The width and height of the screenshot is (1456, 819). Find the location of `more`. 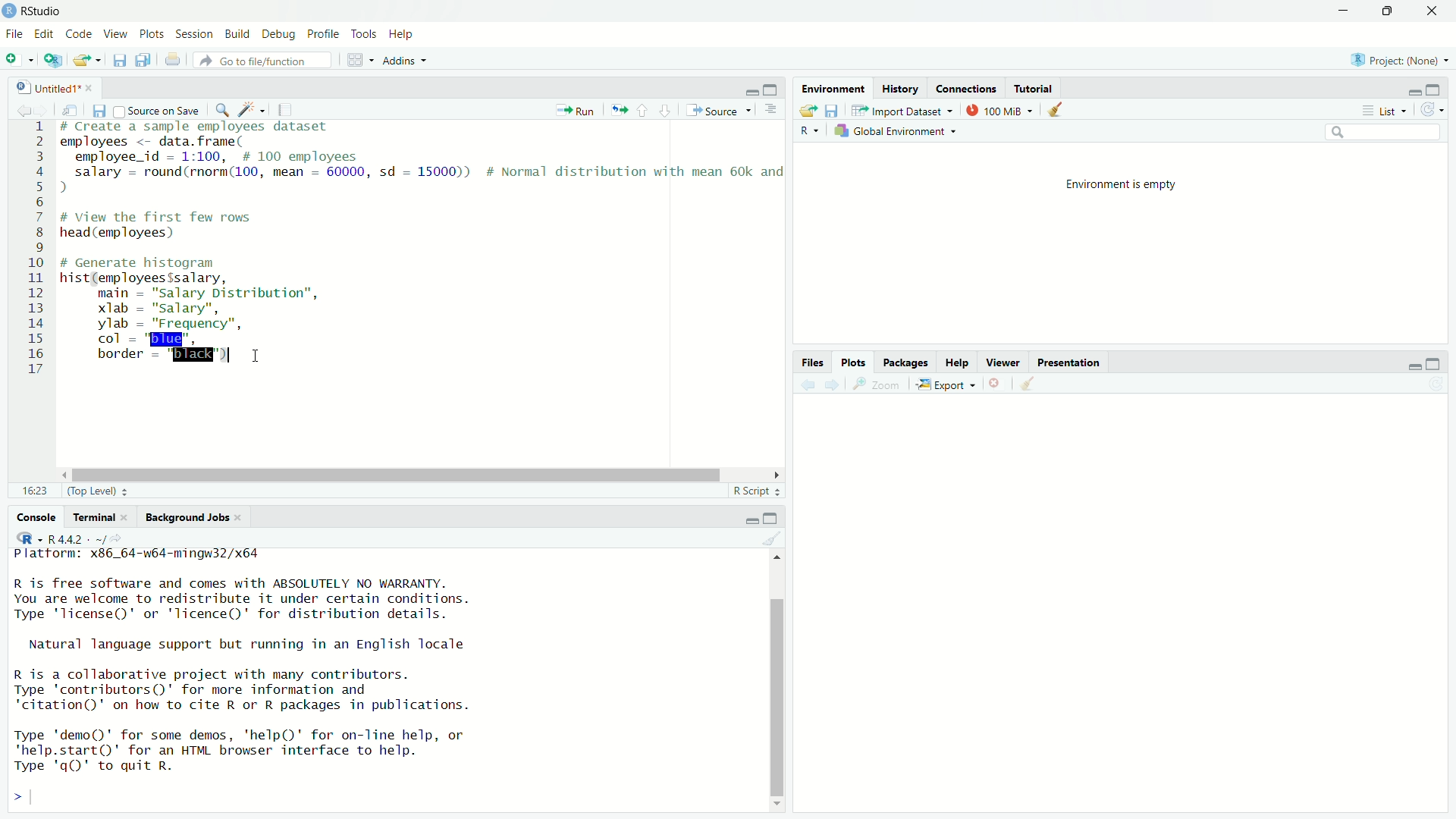

more is located at coordinates (772, 110).